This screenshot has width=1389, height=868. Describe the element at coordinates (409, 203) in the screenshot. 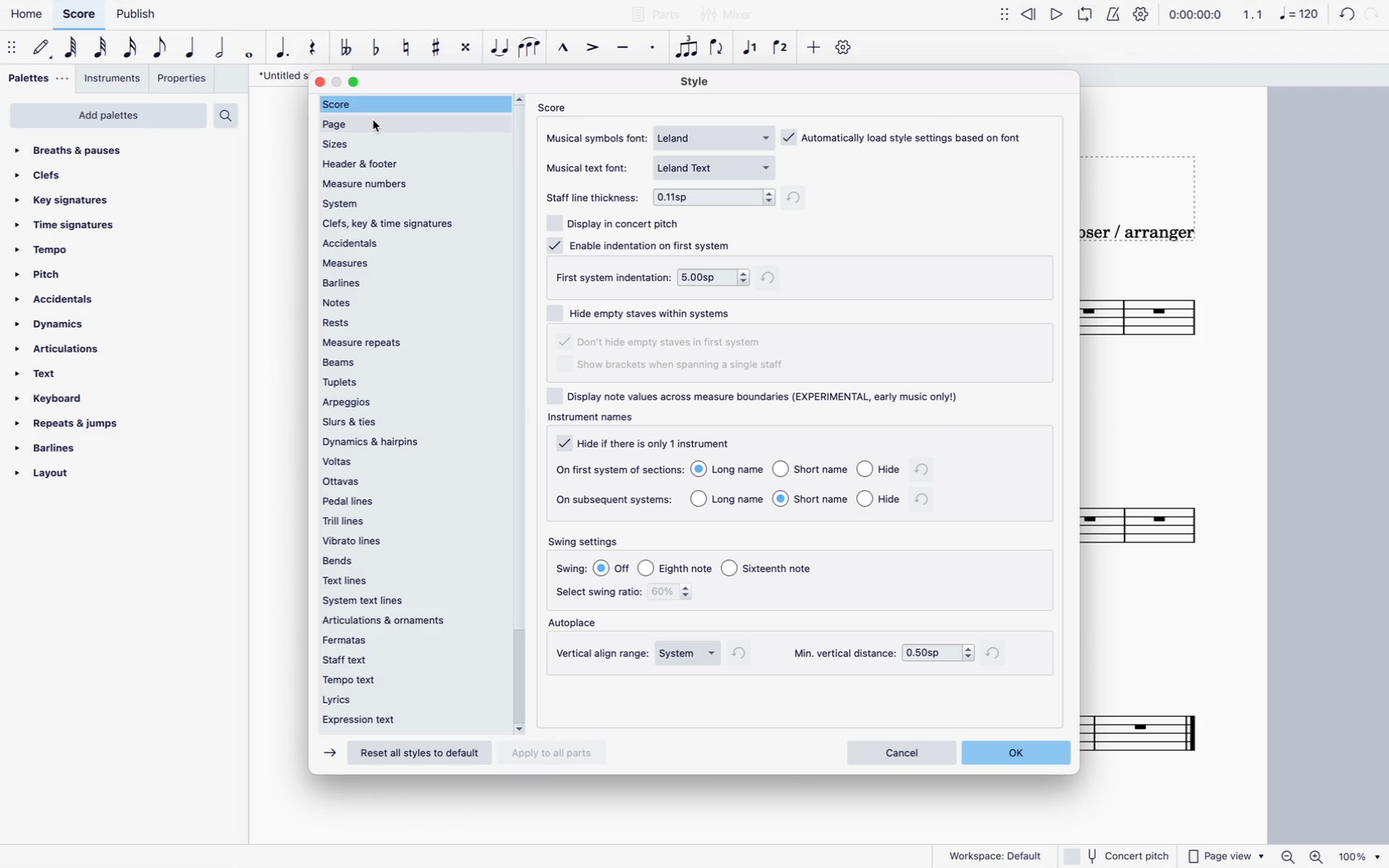

I see `system` at that location.